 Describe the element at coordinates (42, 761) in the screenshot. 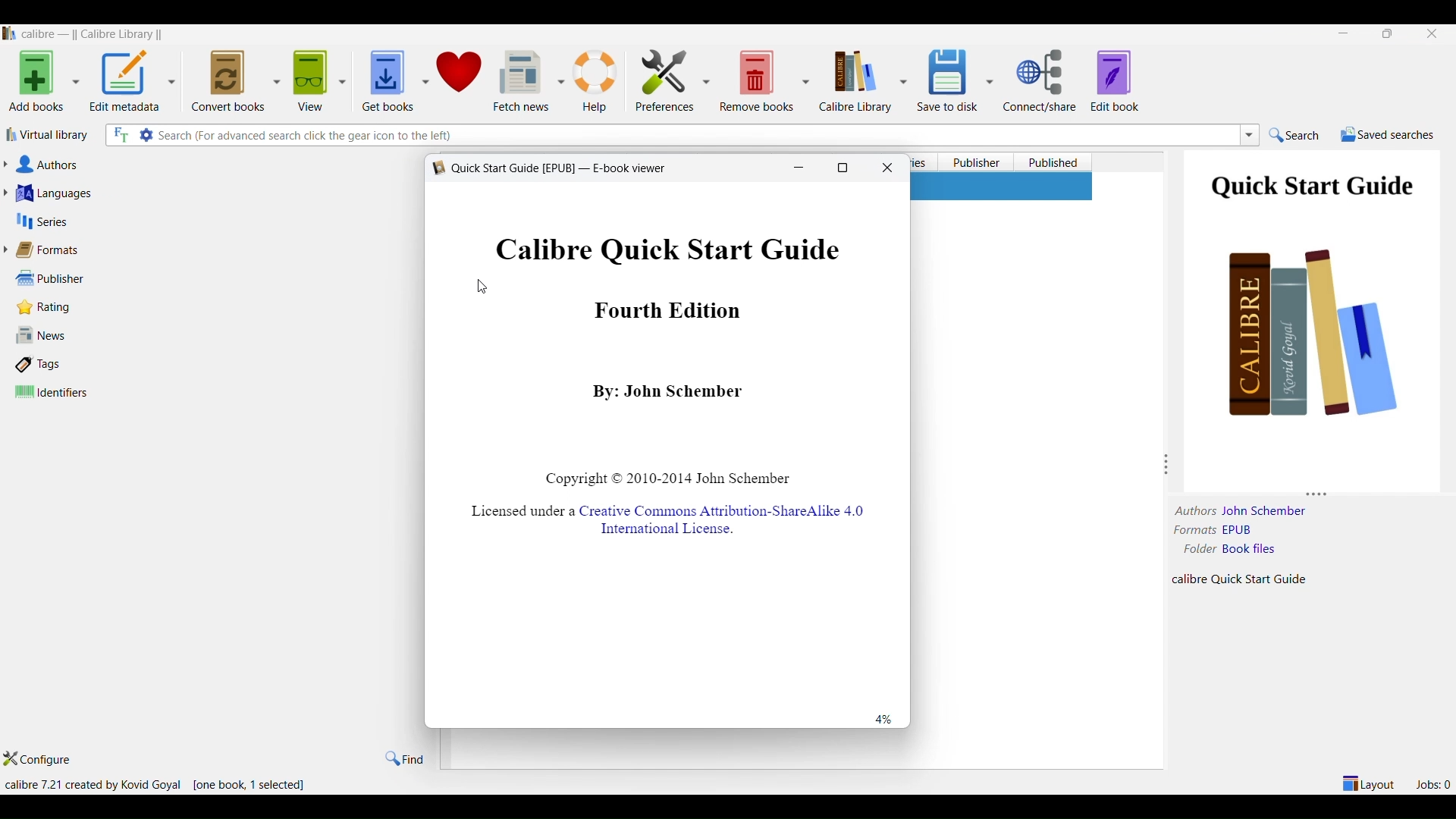

I see `configure` at that location.